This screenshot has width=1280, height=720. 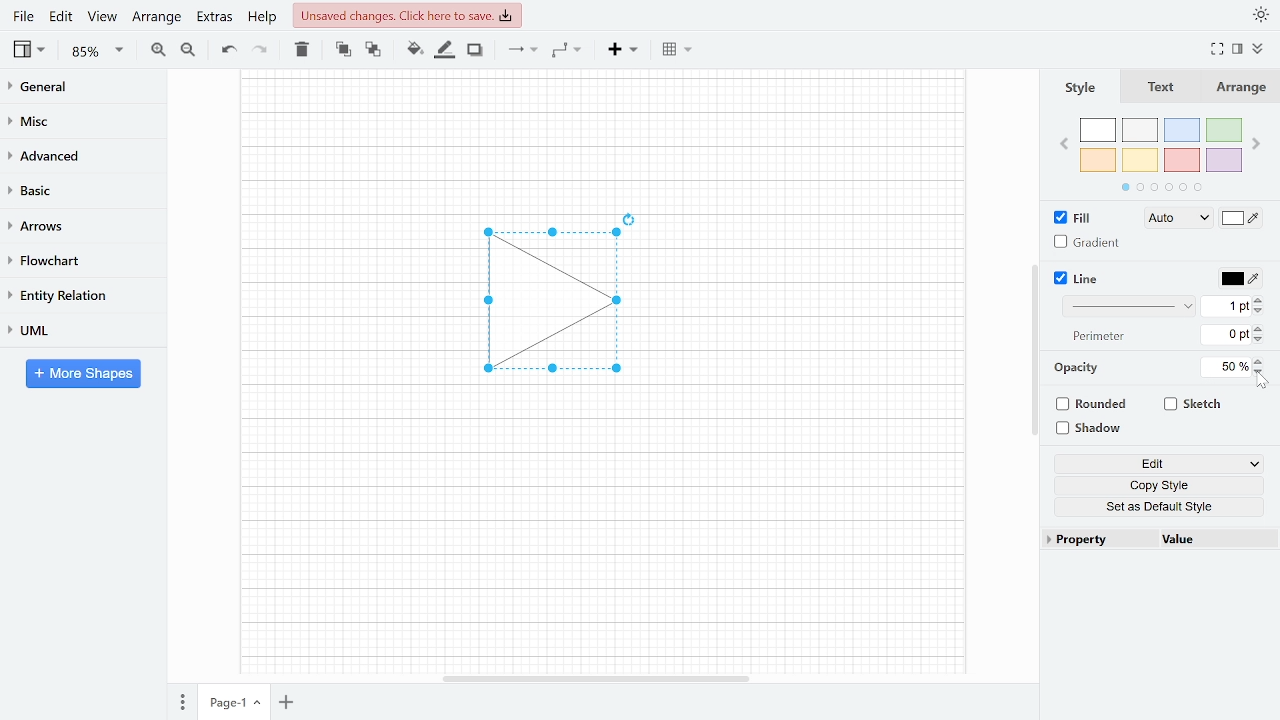 I want to click on Value, so click(x=1213, y=541).